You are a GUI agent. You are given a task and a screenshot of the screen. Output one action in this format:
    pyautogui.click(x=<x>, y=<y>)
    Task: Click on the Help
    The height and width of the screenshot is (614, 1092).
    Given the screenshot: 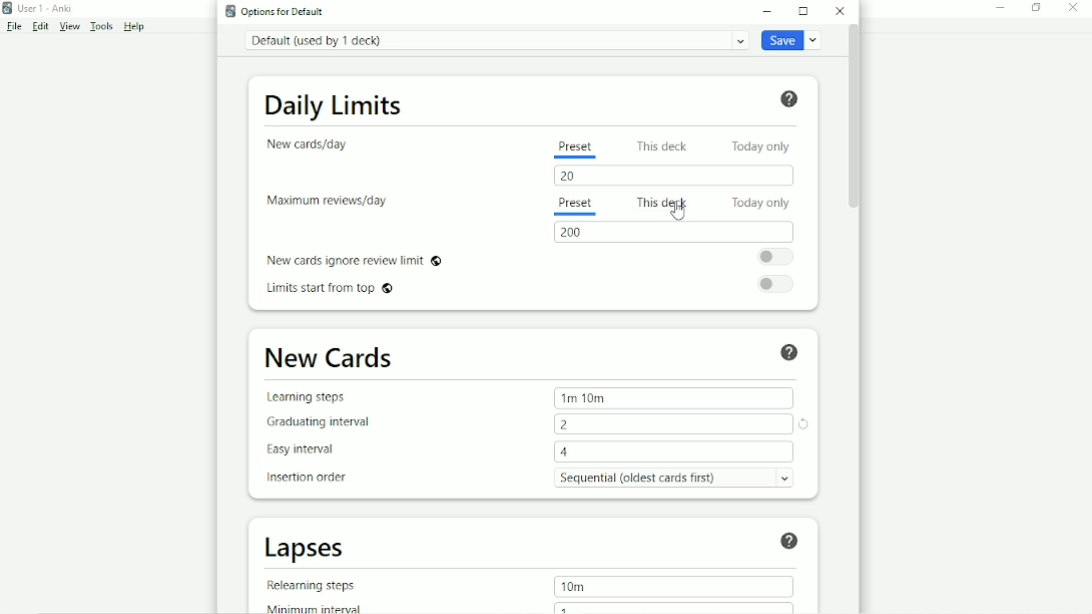 What is the action you would take?
    pyautogui.click(x=789, y=98)
    